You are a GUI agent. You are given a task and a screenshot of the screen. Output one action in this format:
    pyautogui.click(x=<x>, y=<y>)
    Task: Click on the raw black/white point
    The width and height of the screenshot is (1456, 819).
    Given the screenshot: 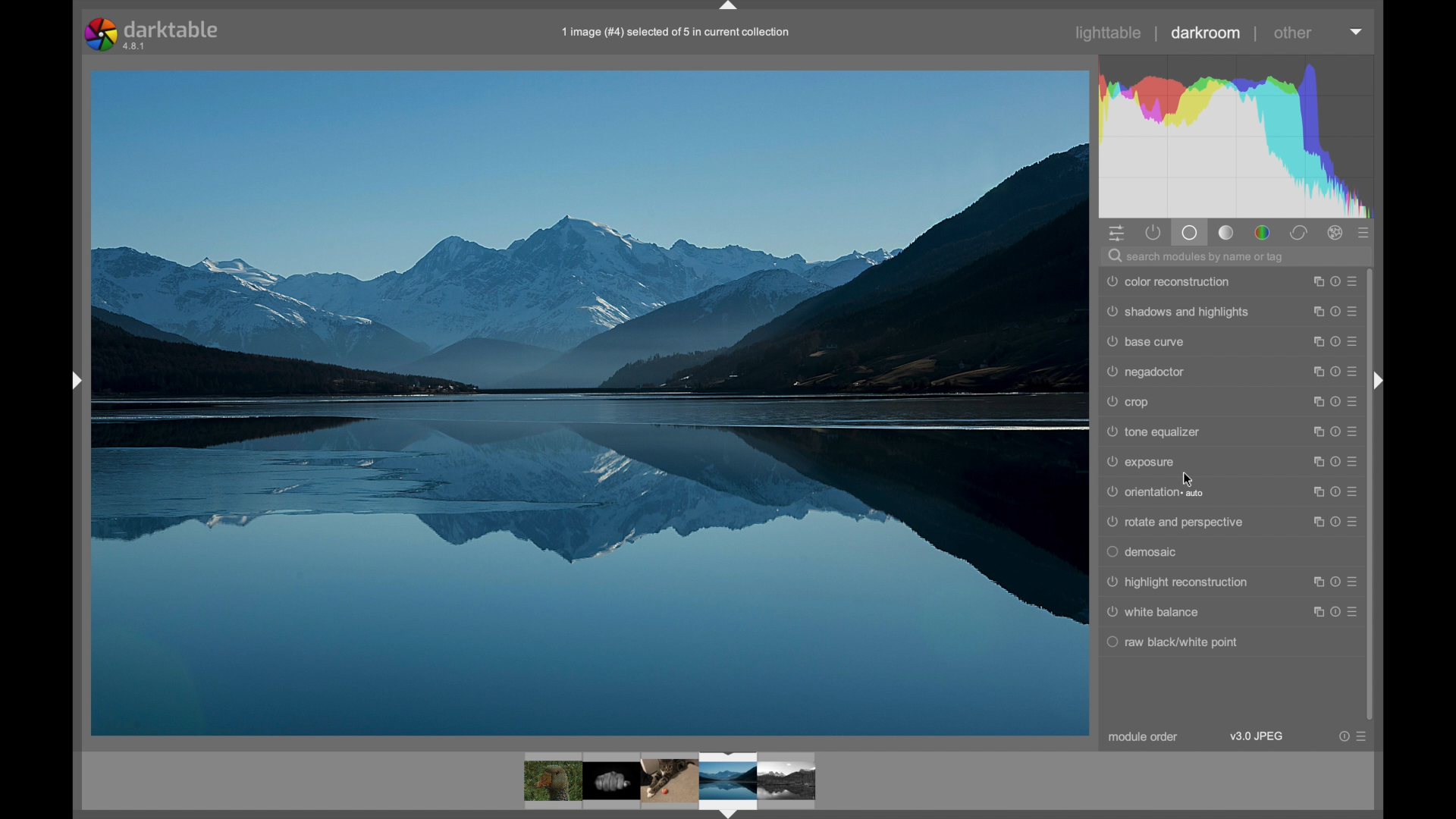 What is the action you would take?
    pyautogui.click(x=1172, y=642)
    